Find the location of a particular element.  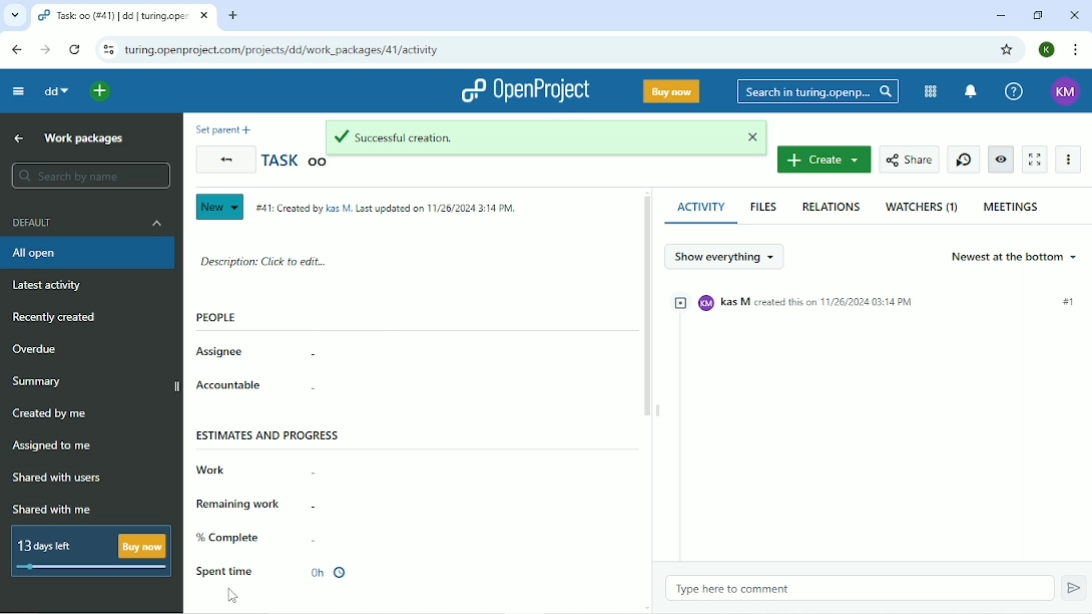

Unwatch work package is located at coordinates (1003, 159).